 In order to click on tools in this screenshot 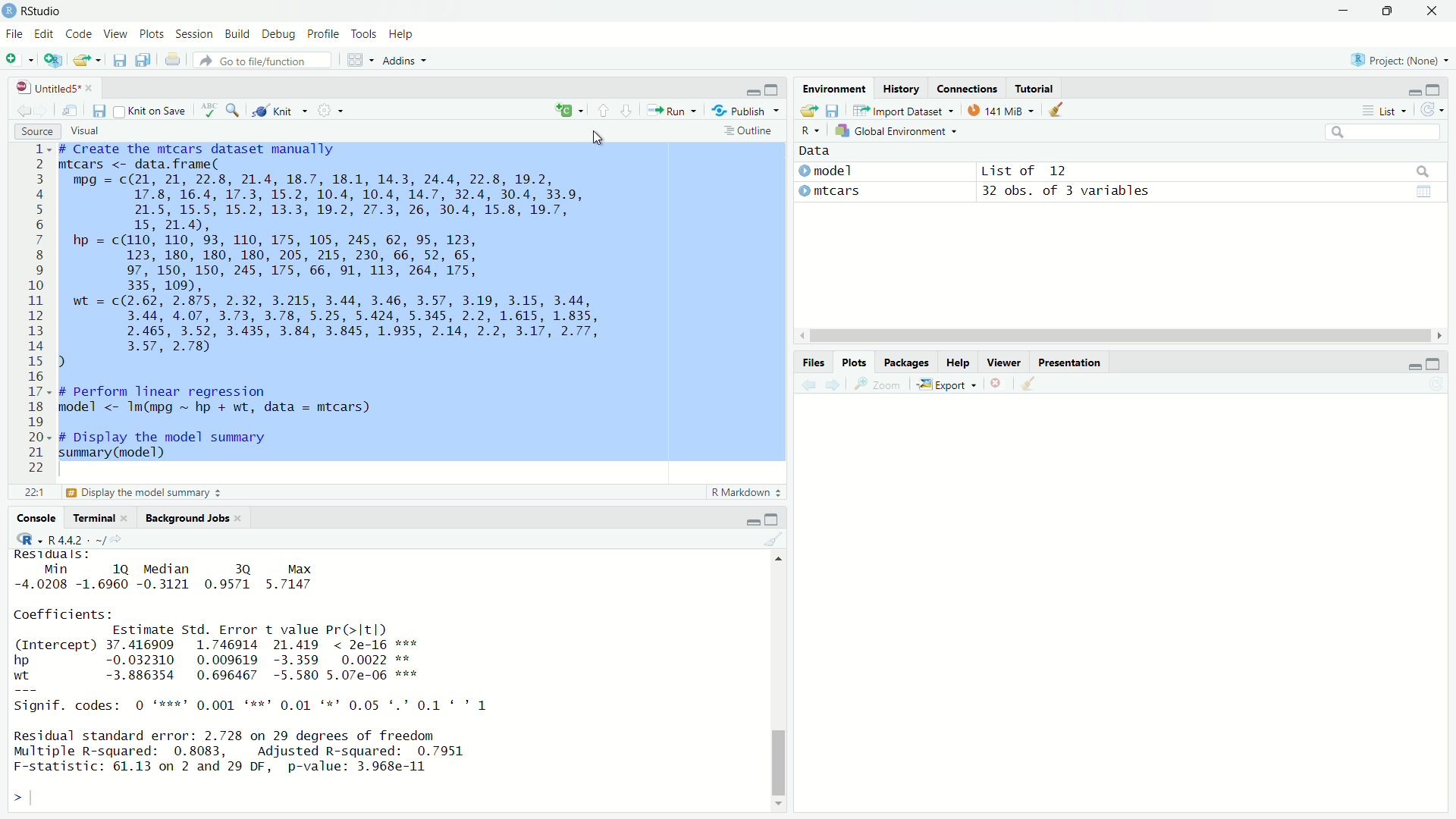, I will do `click(362, 33)`.